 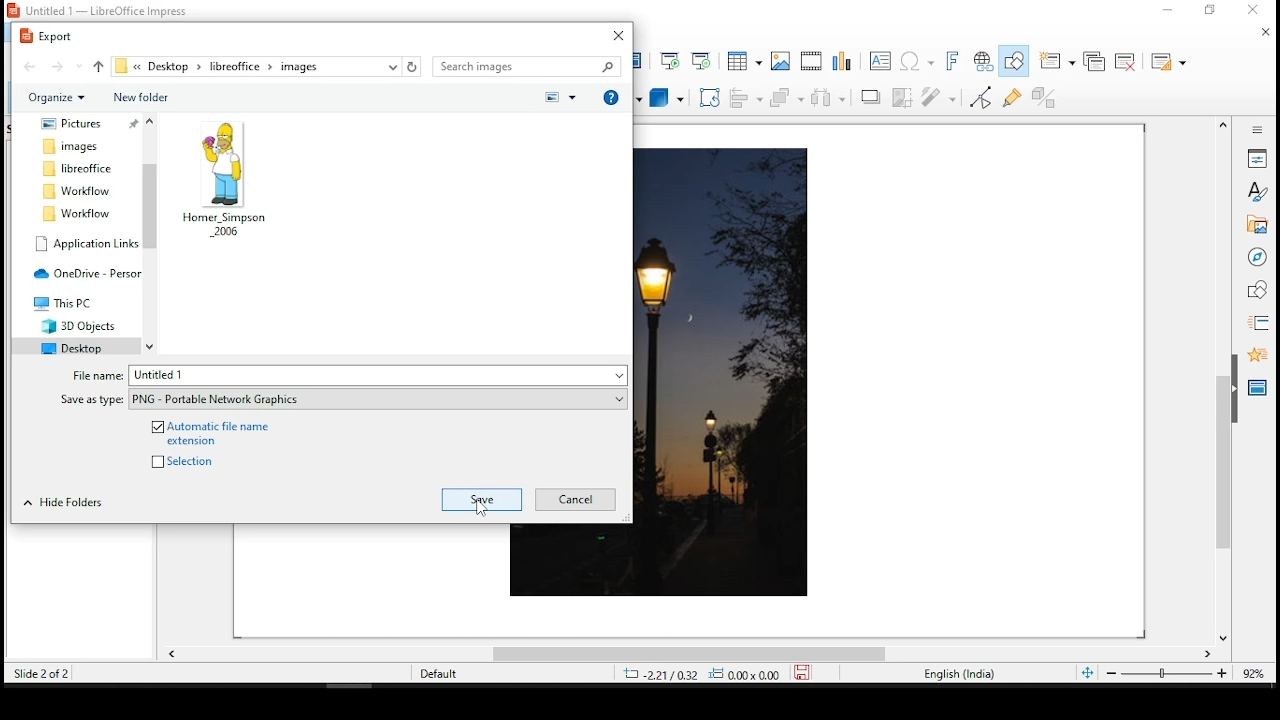 What do you see at coordinates (86, 243) in the screenshot?
I see `folder` at bounding box center [86, 243].